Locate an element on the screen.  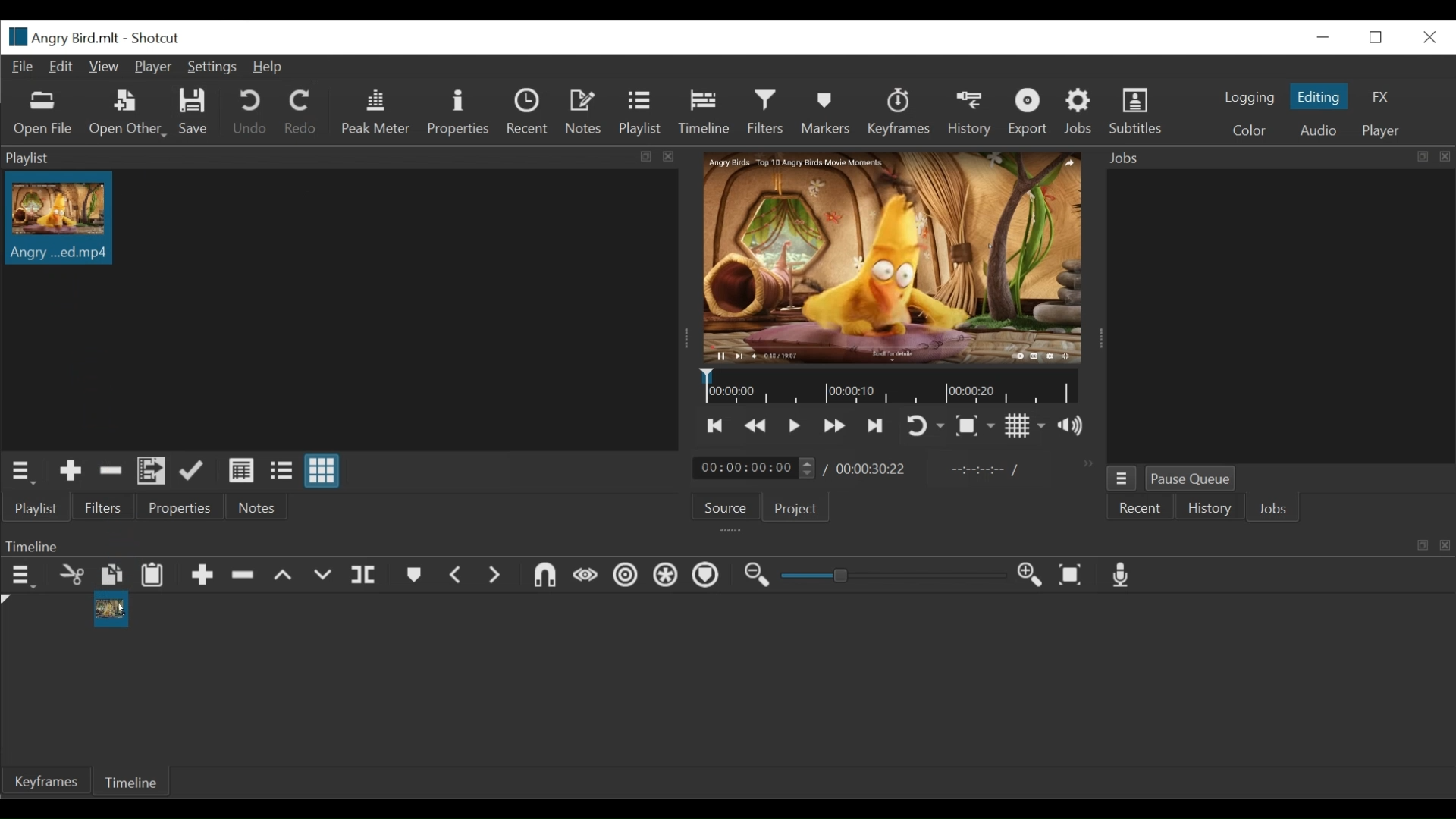
markers is located at coordinates (415, 576).